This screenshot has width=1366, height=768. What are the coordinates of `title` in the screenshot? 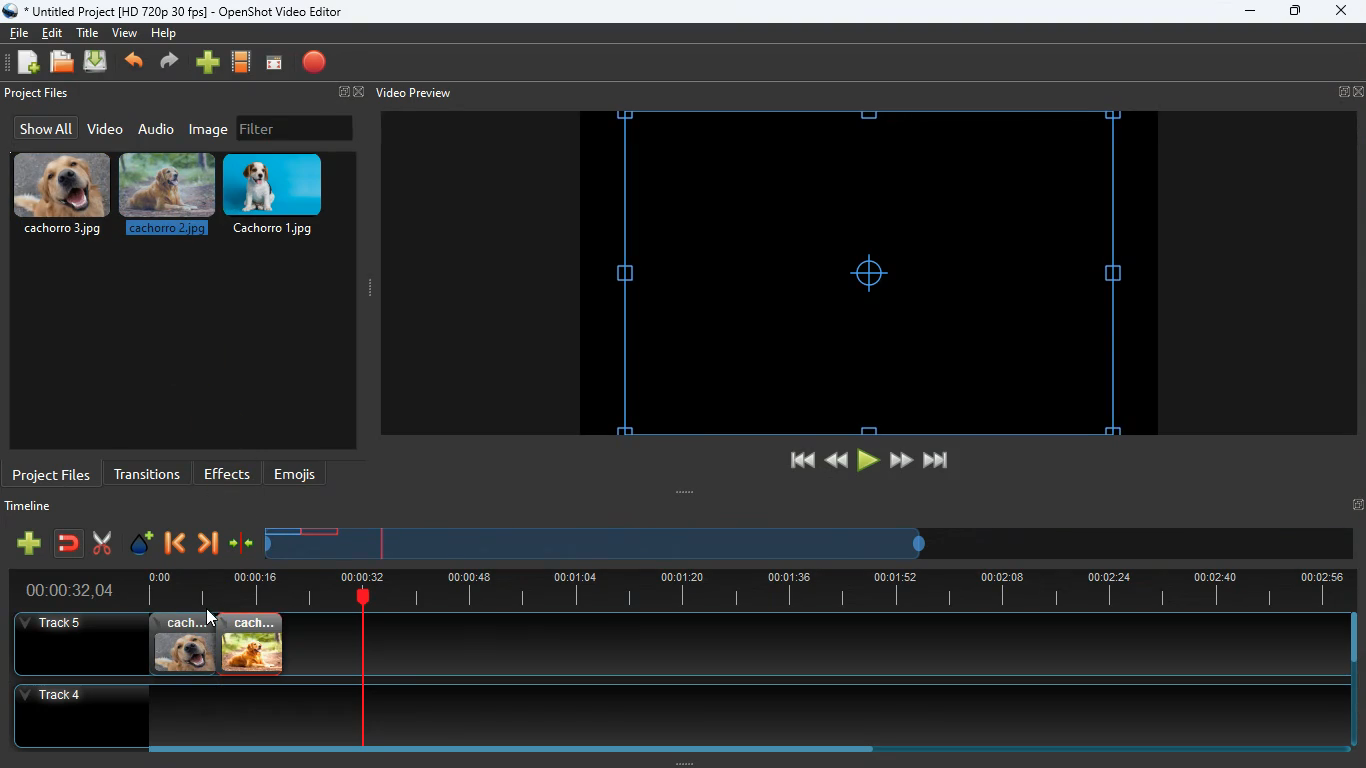 It's located at (90, 32).